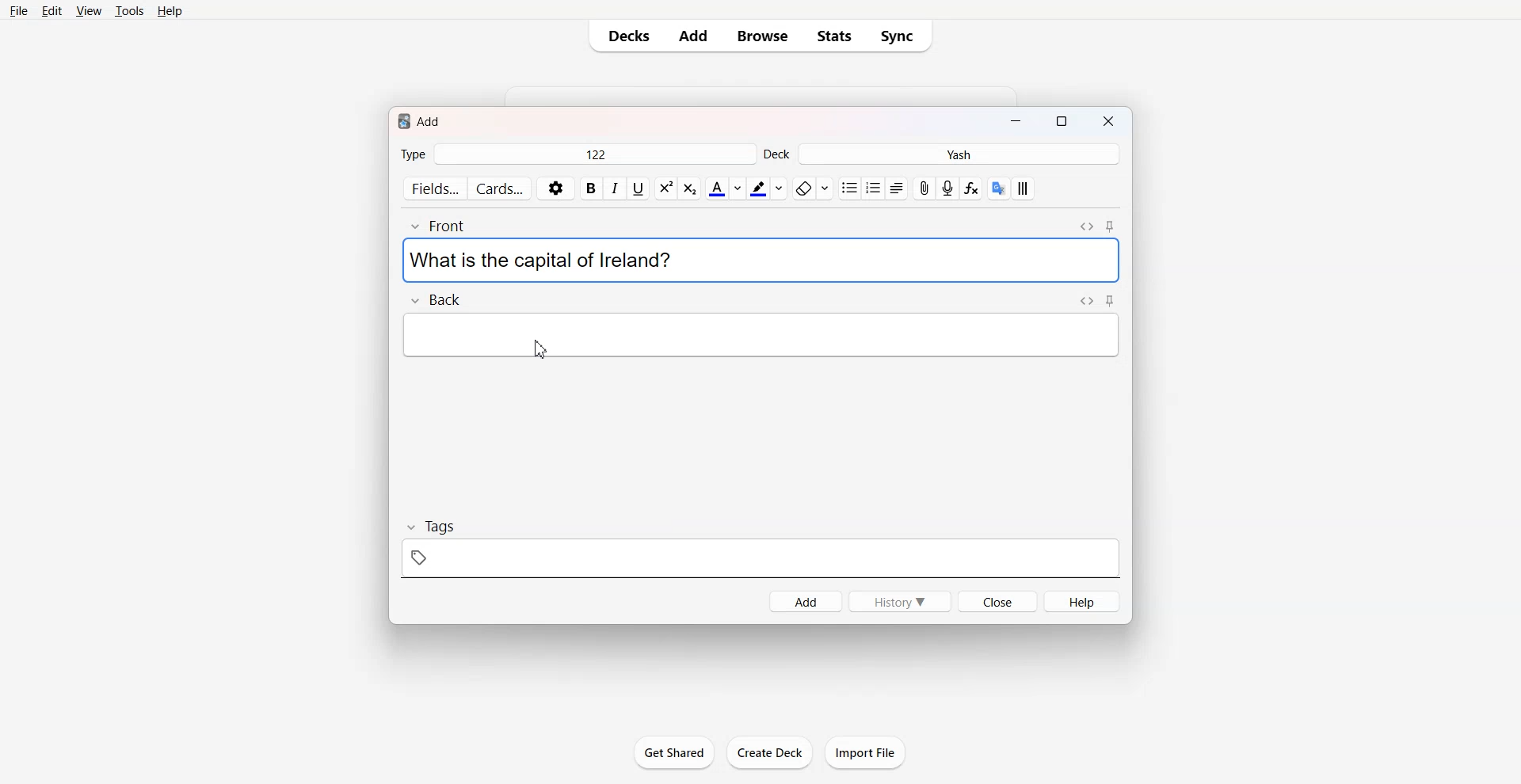 The height and width of the screenshot is (784, 1521). I want to click on Bold, so click(591, 188).